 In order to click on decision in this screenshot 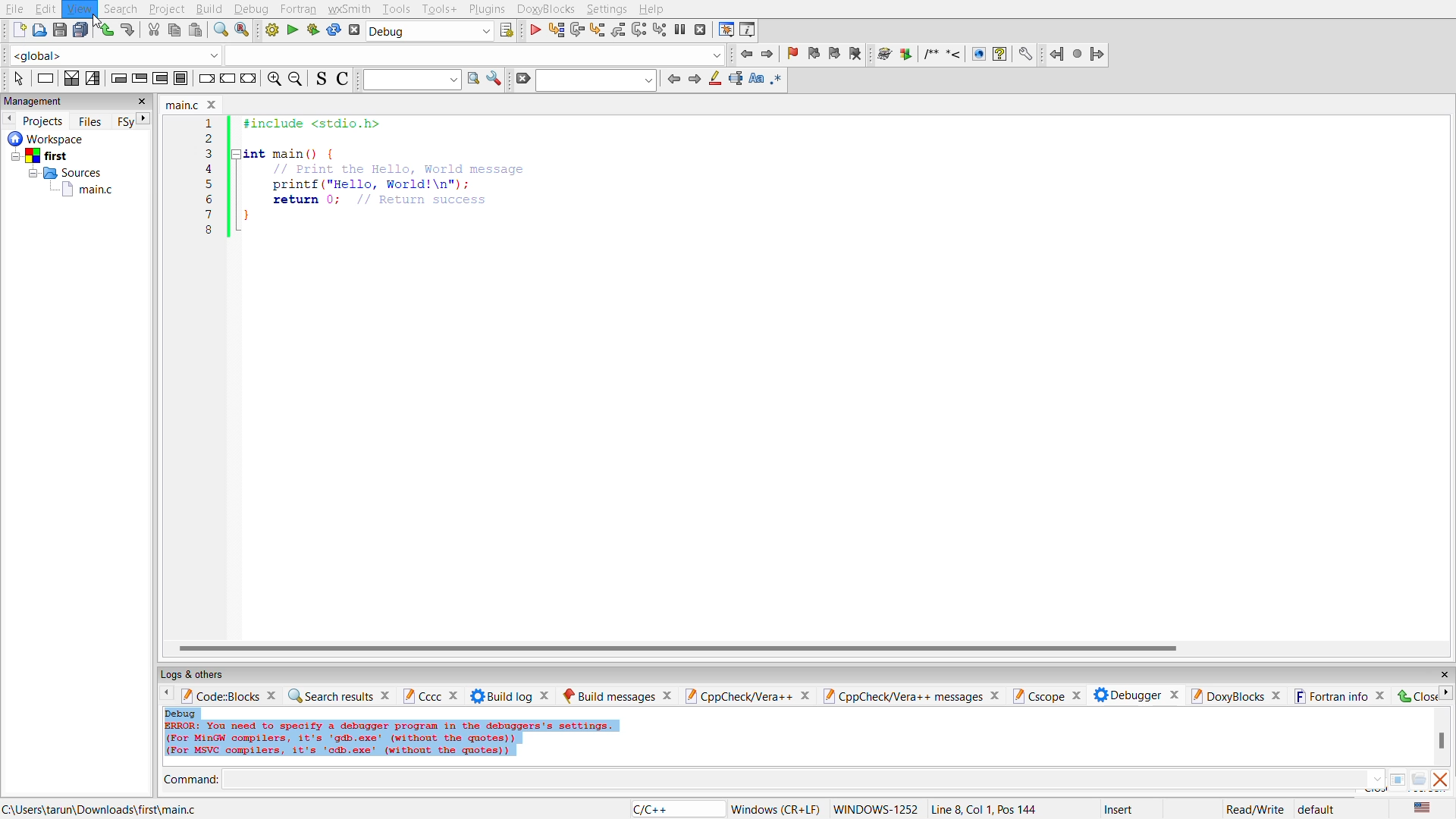, I will do `click(73, 79)`.